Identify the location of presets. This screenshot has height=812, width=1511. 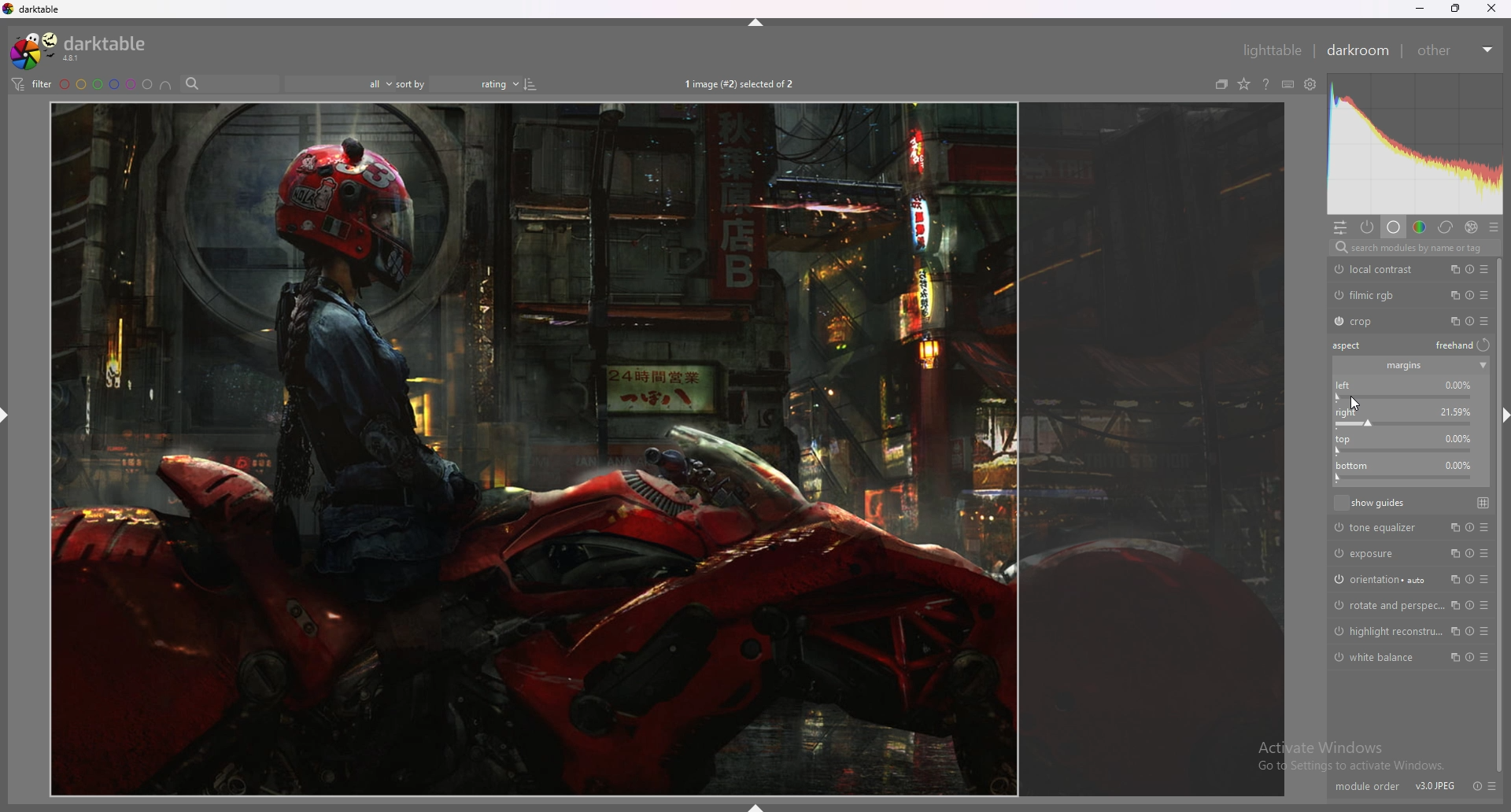
(1487, 631).